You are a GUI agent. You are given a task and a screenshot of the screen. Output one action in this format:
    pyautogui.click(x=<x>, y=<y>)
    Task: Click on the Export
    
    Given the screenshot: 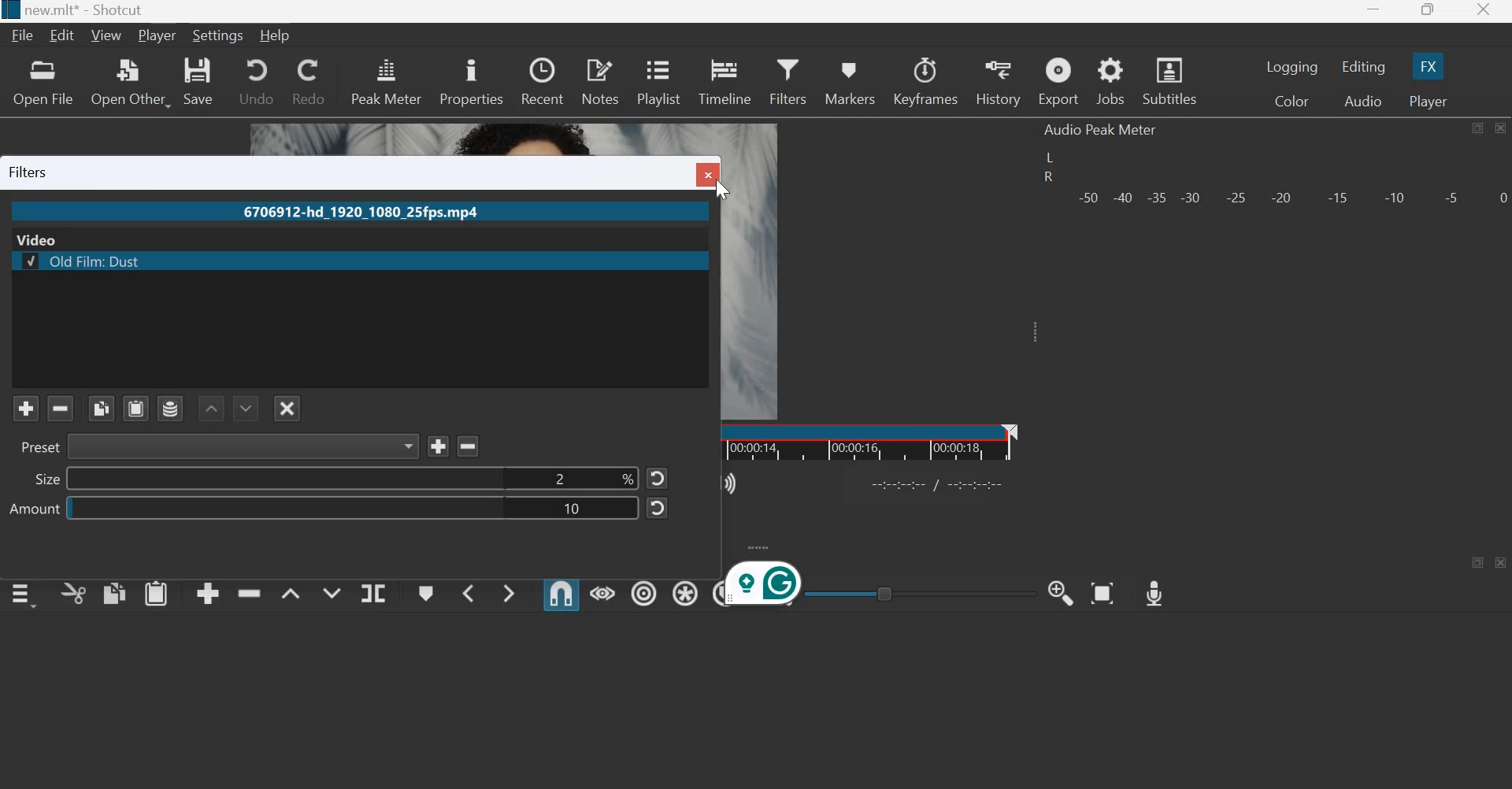 What is the action you would take?
    pyautogui.click(x=1058, y=83)
    